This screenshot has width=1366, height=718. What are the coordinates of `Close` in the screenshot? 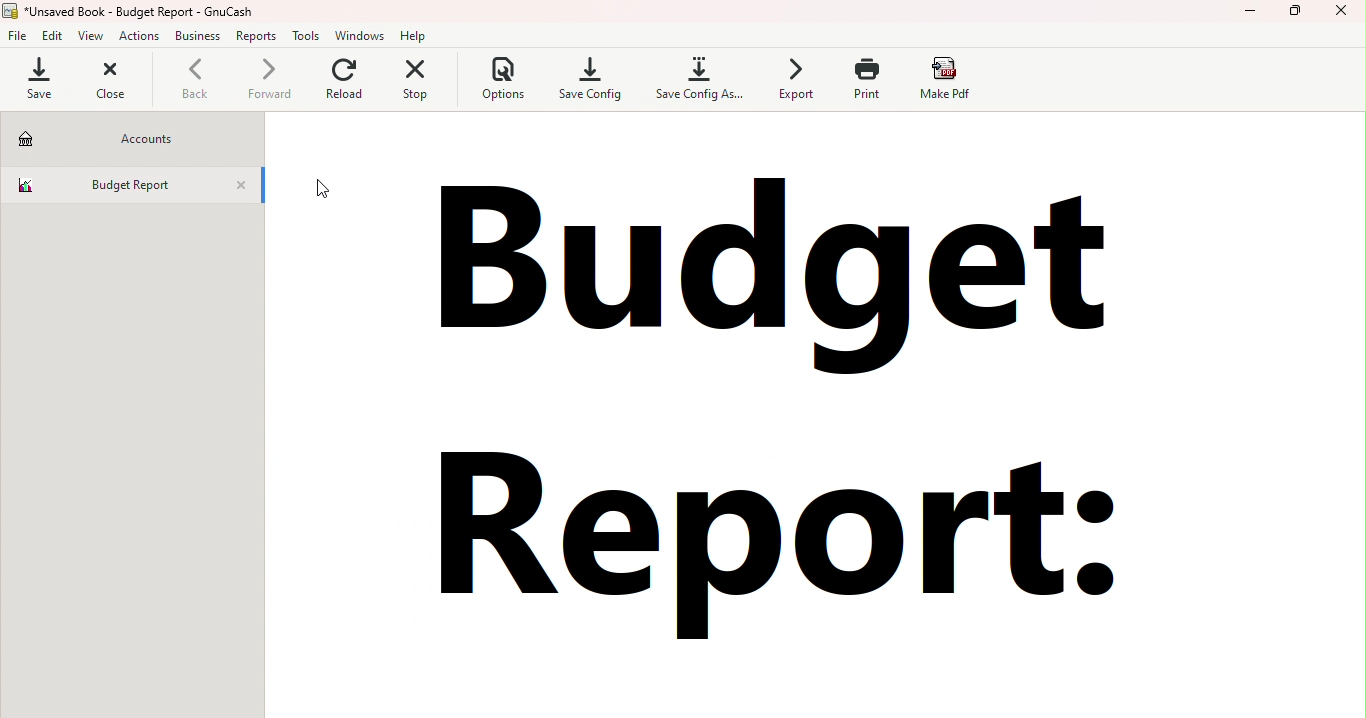 It's located at (111, 80).